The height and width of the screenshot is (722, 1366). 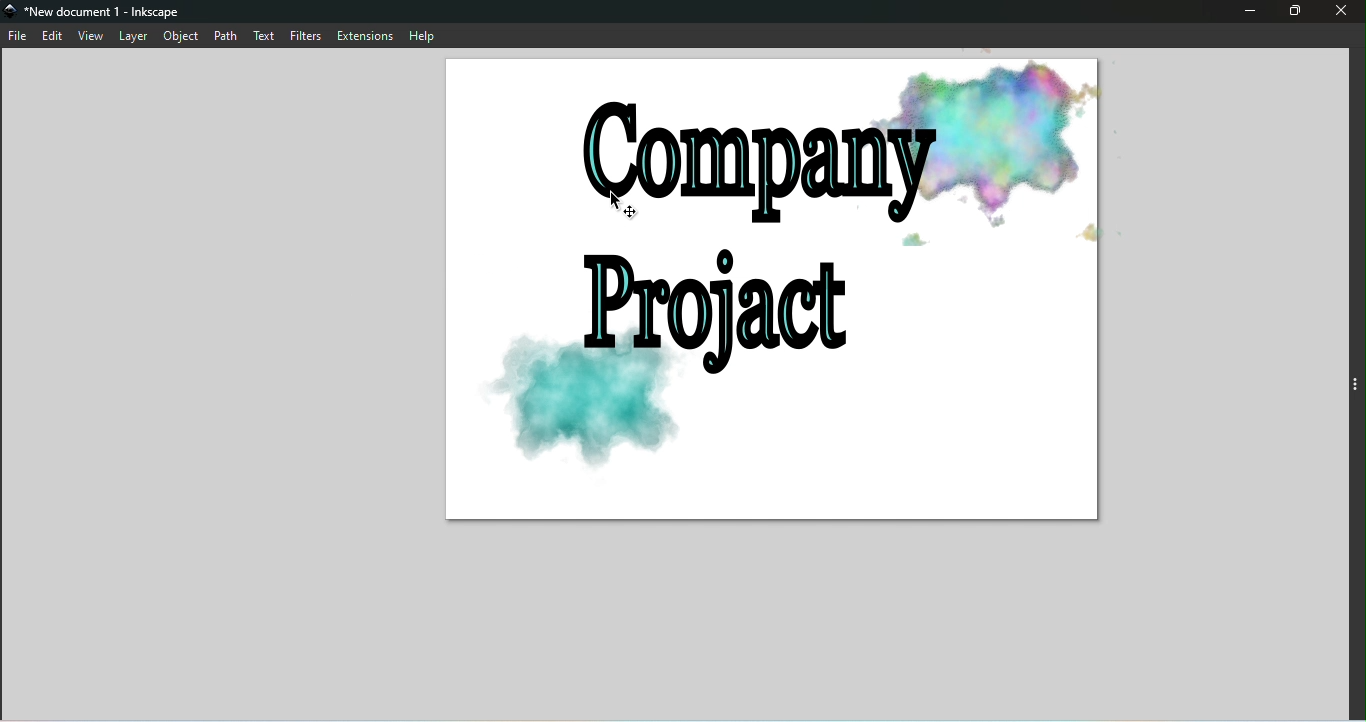 What do you see at coordinates (426, 35) in the screenshot?
I see `Help` at bounding box center [426, 35].